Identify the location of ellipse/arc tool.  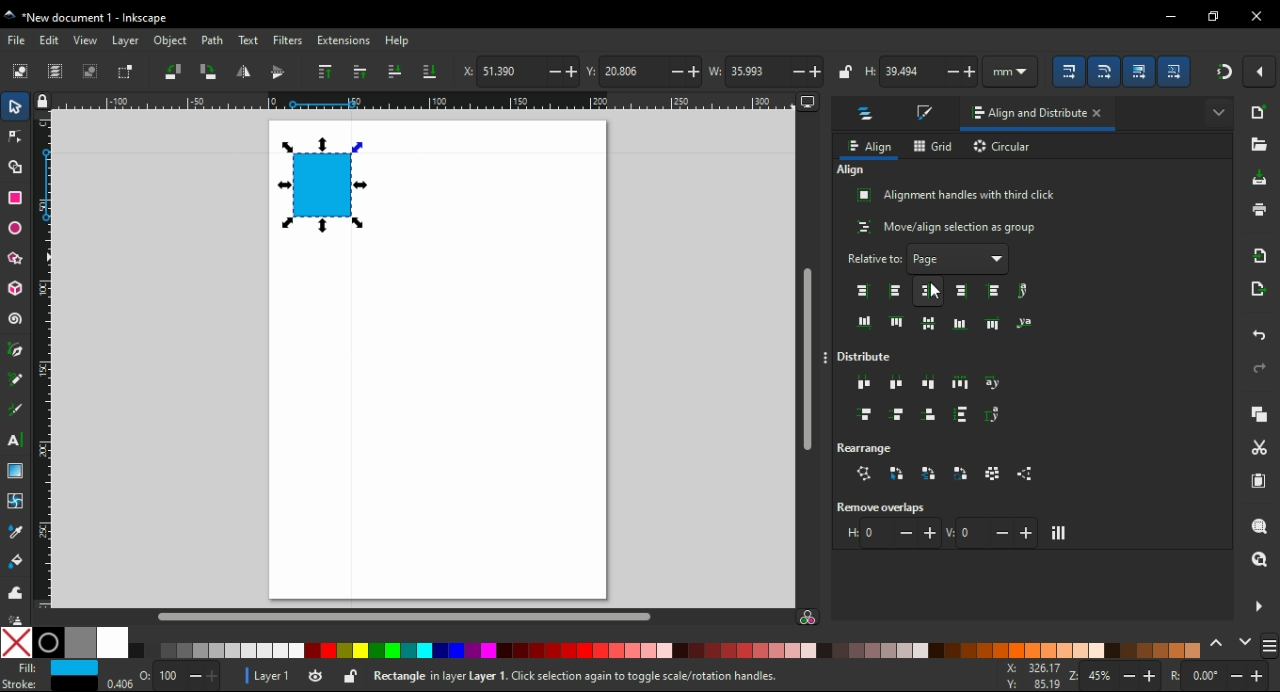
(16, 225).